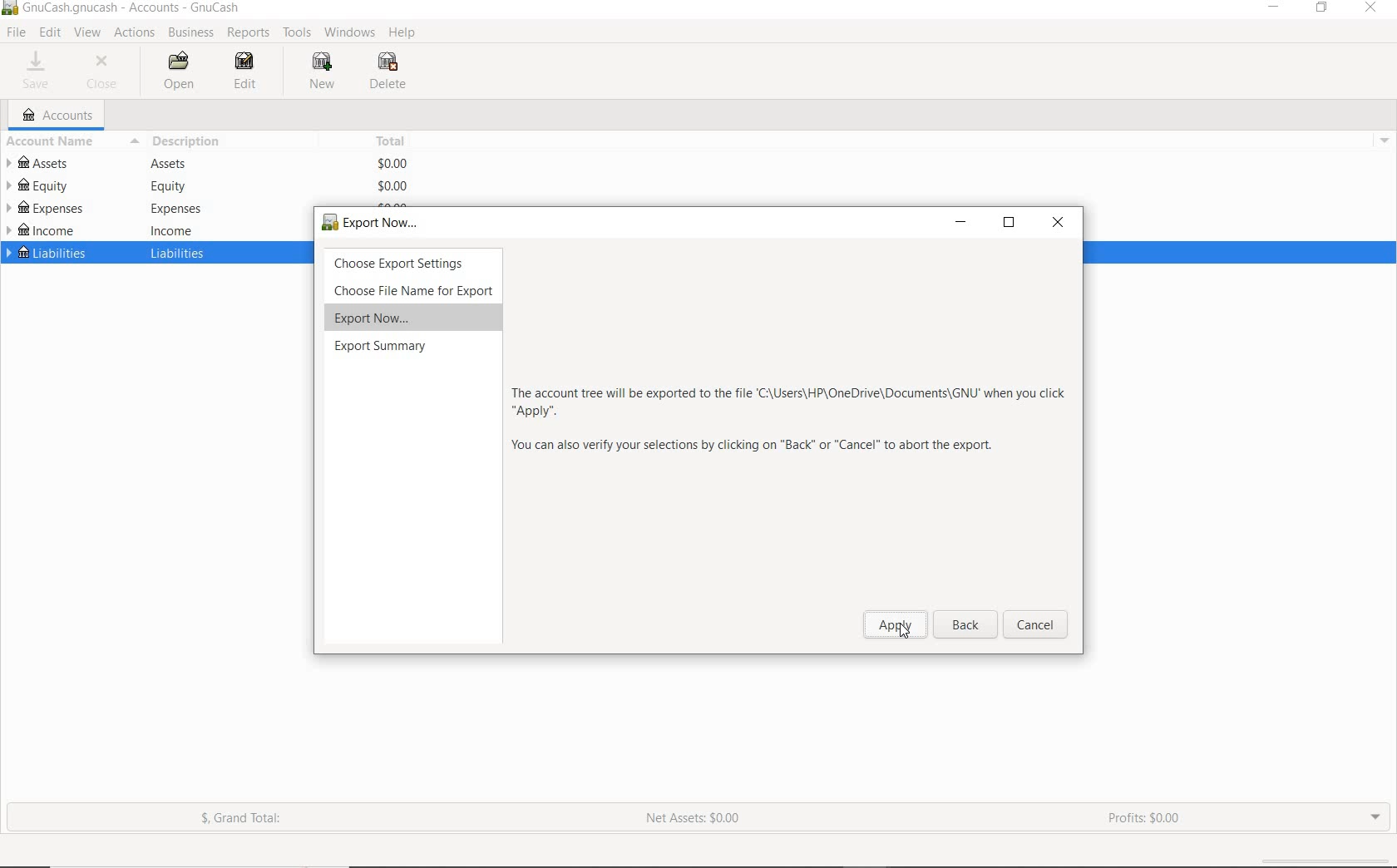  I want to click on $0.00, so click(394, 186).